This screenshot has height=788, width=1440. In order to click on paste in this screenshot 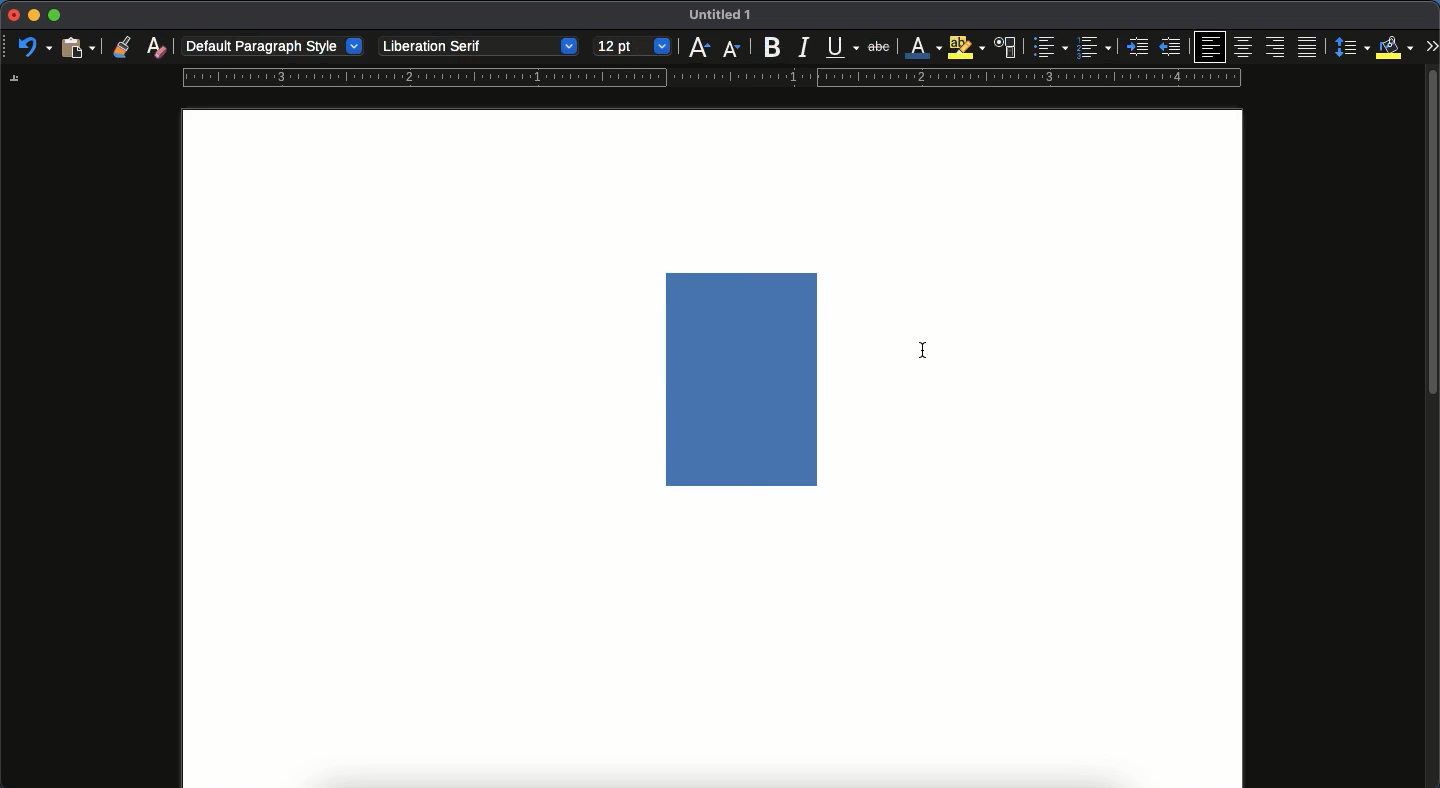, I will do `click(77, 46)`.